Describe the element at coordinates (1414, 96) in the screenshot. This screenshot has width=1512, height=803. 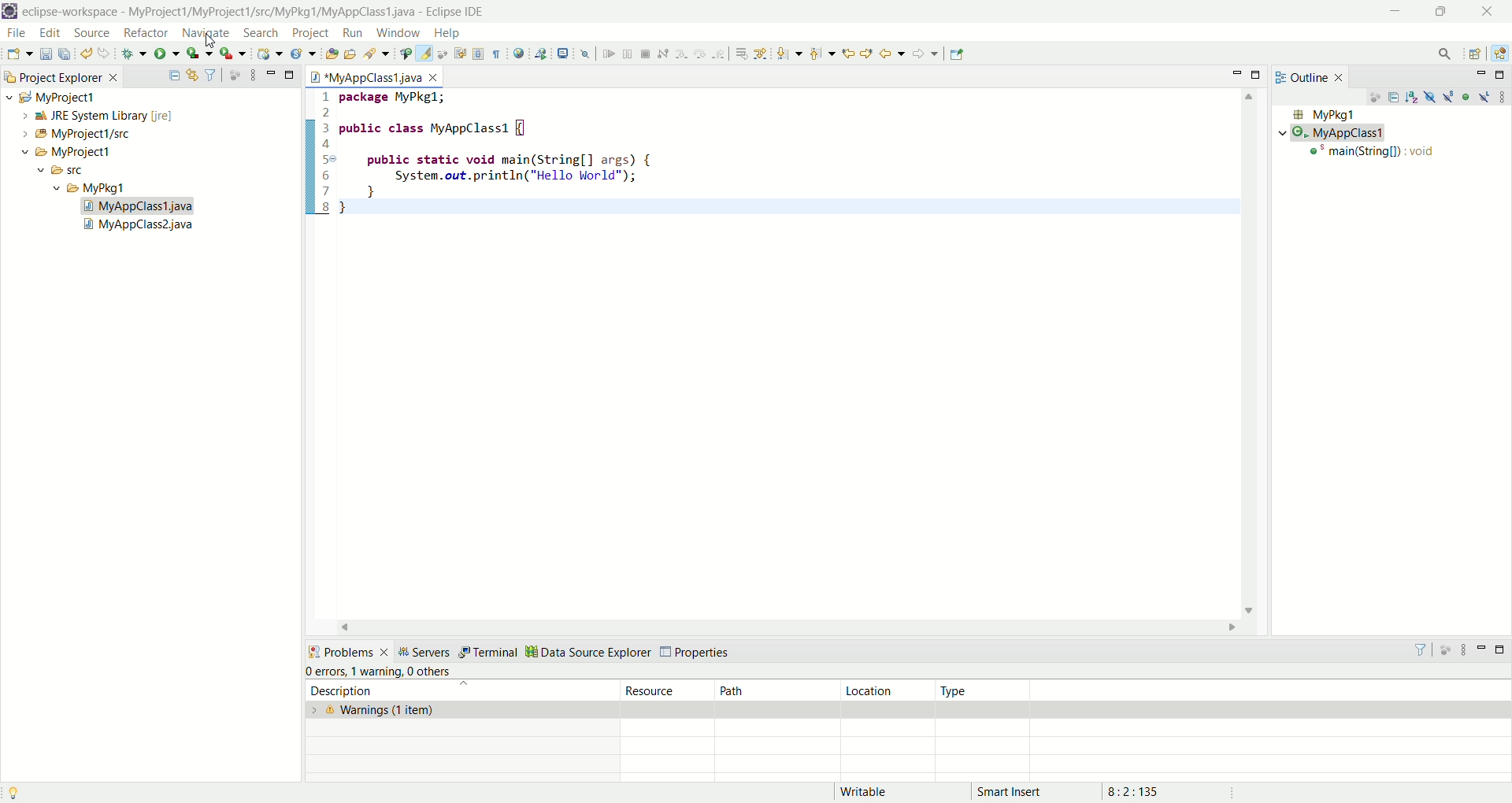
I see `sort` at that location.